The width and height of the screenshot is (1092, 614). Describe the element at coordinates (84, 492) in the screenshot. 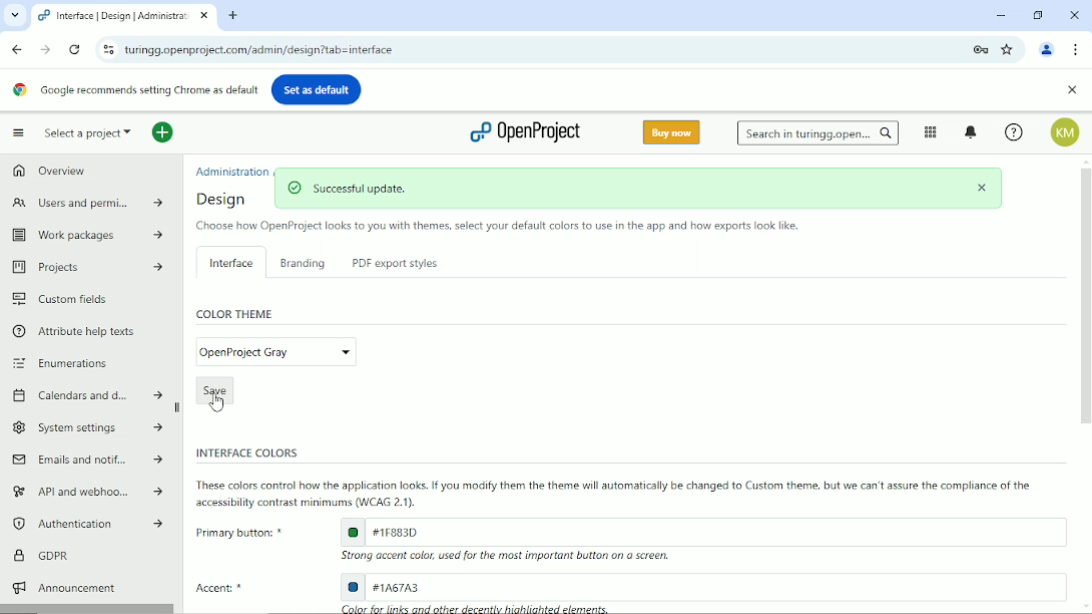

I see `API and webhooks` at that location.